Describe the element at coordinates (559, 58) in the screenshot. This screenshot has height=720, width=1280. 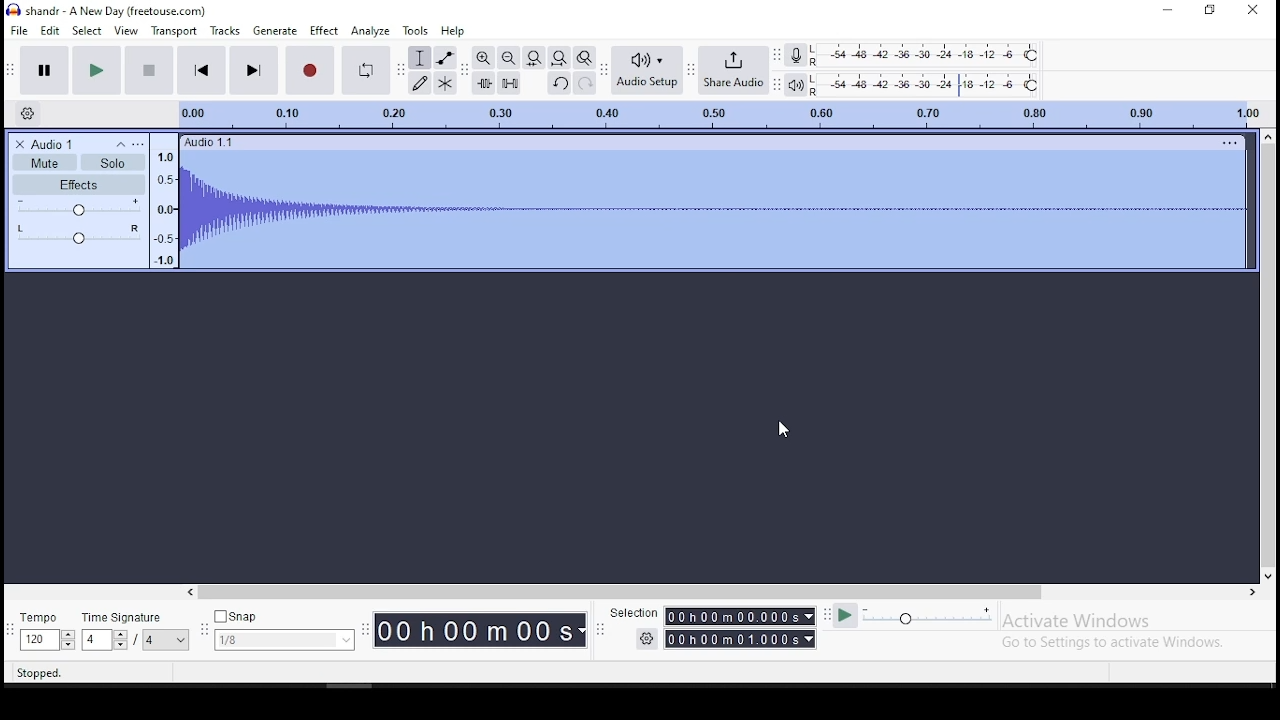
I see `fit project to width` at that location.